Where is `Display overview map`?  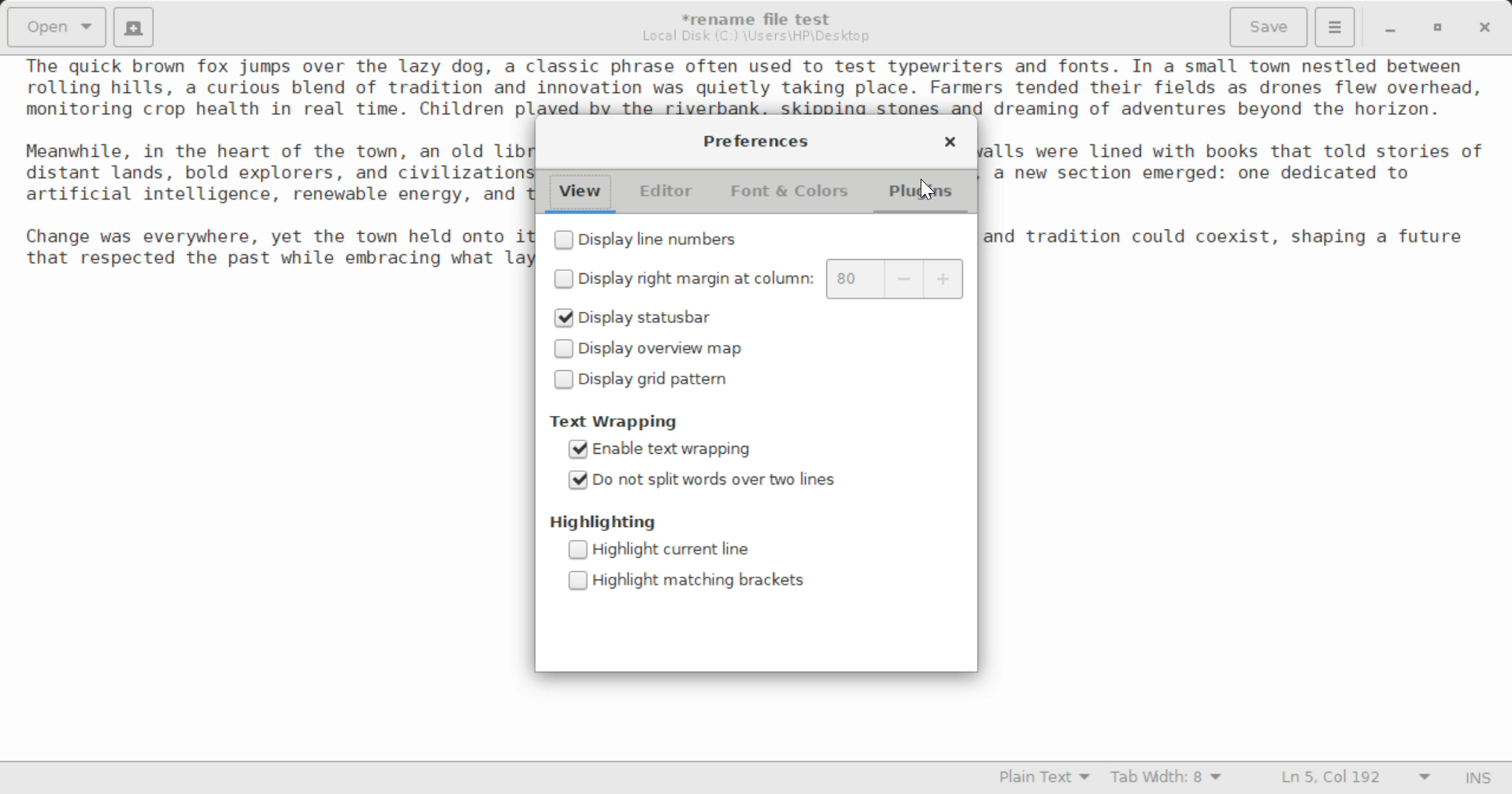 Display overview map is located at coordinates (654, 351).